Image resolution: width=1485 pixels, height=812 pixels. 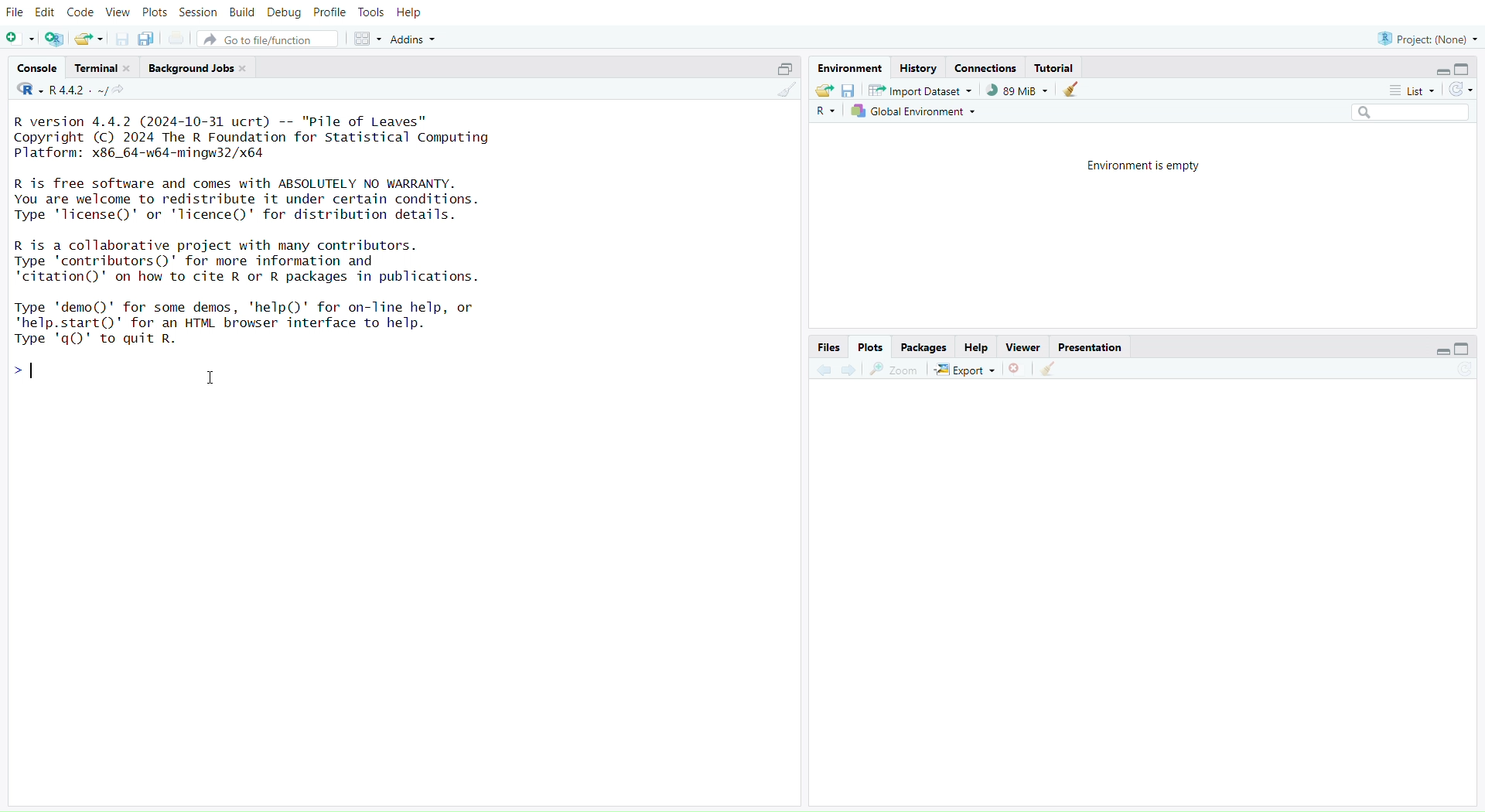 I want to click on Plots, so click(x=153, y=12).